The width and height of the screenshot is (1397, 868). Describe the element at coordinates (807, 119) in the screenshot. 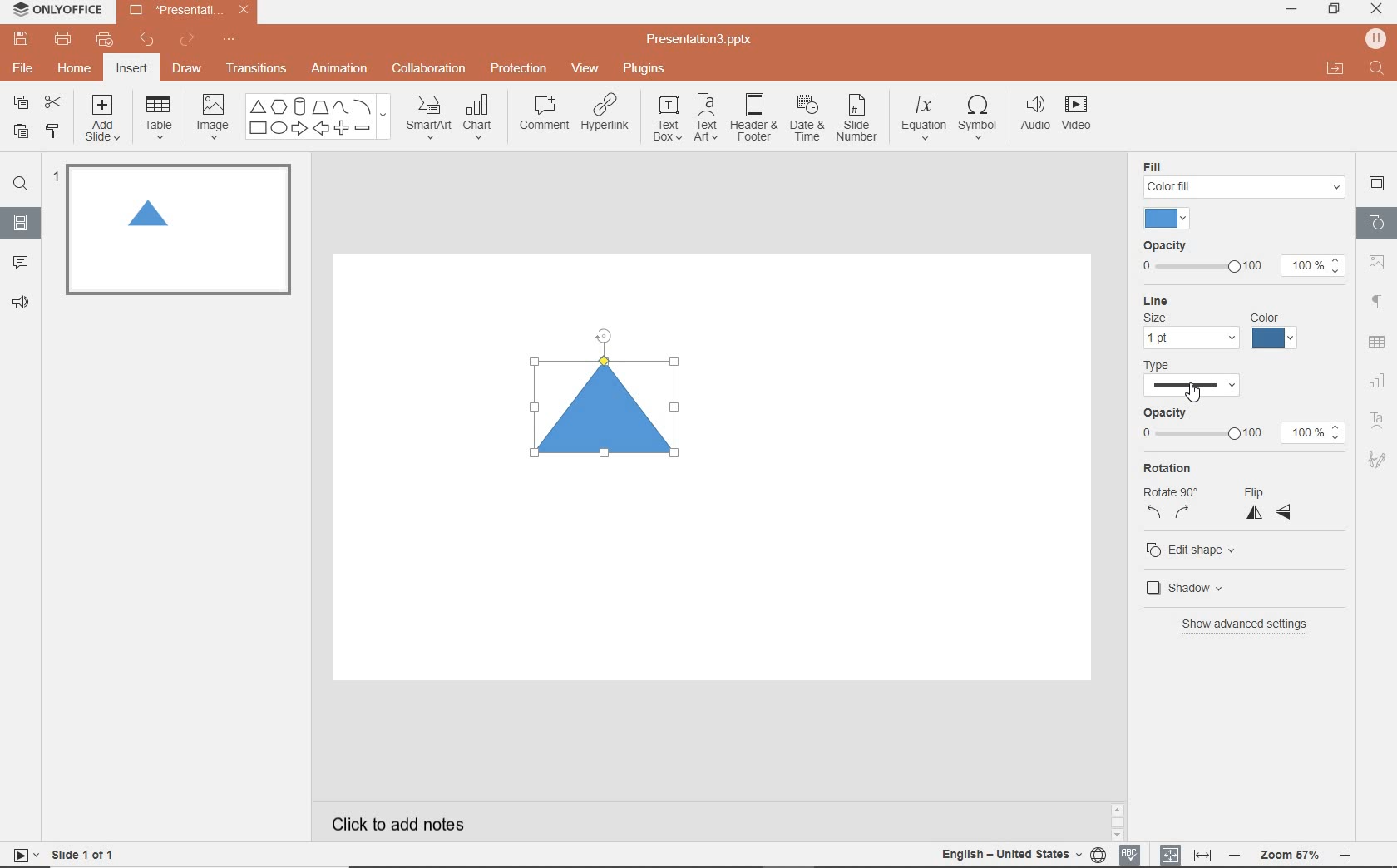

I see `DATE & TIME` at that location.